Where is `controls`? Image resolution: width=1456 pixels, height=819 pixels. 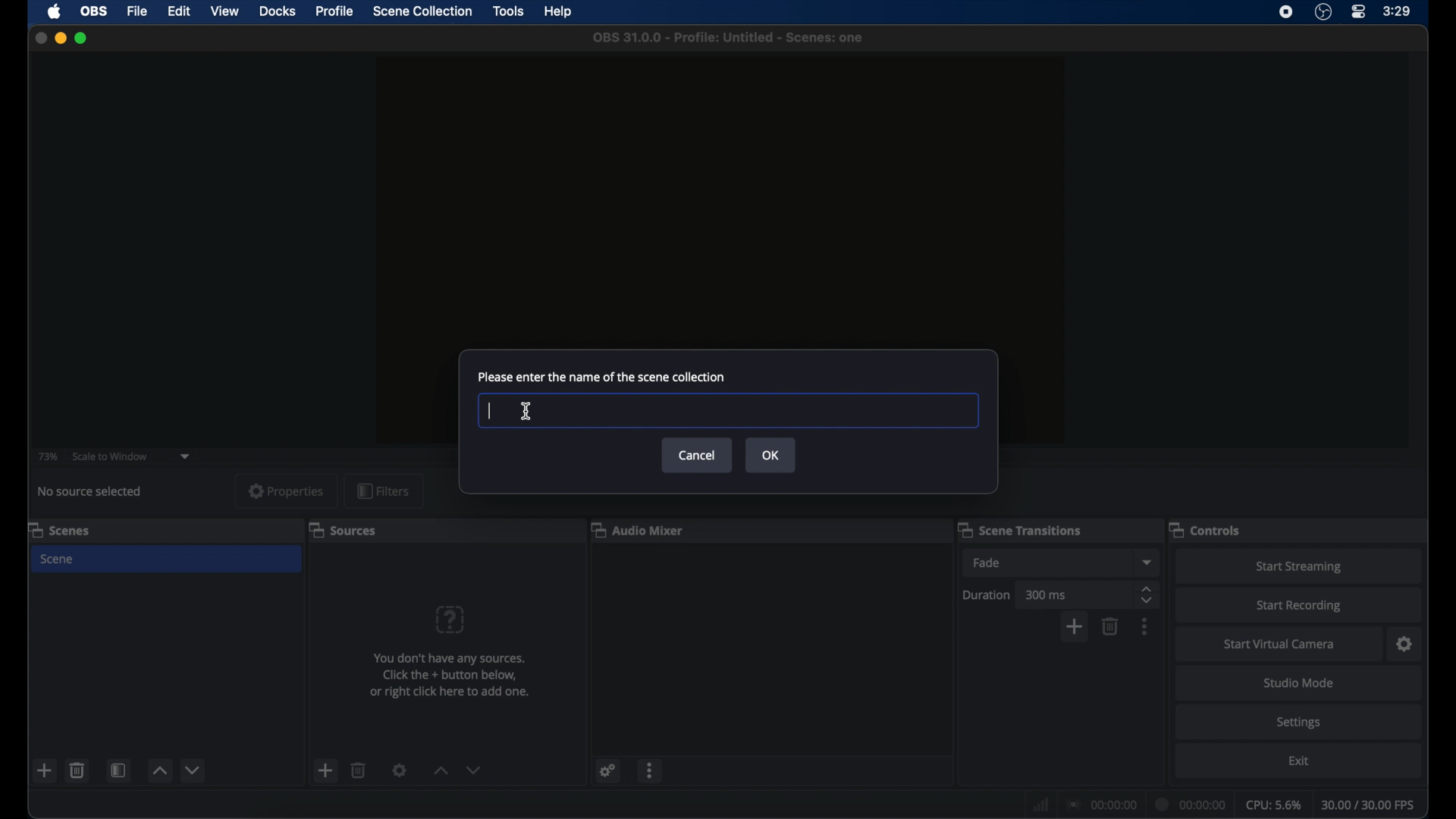
controls is located at coordinates (1206, 529).